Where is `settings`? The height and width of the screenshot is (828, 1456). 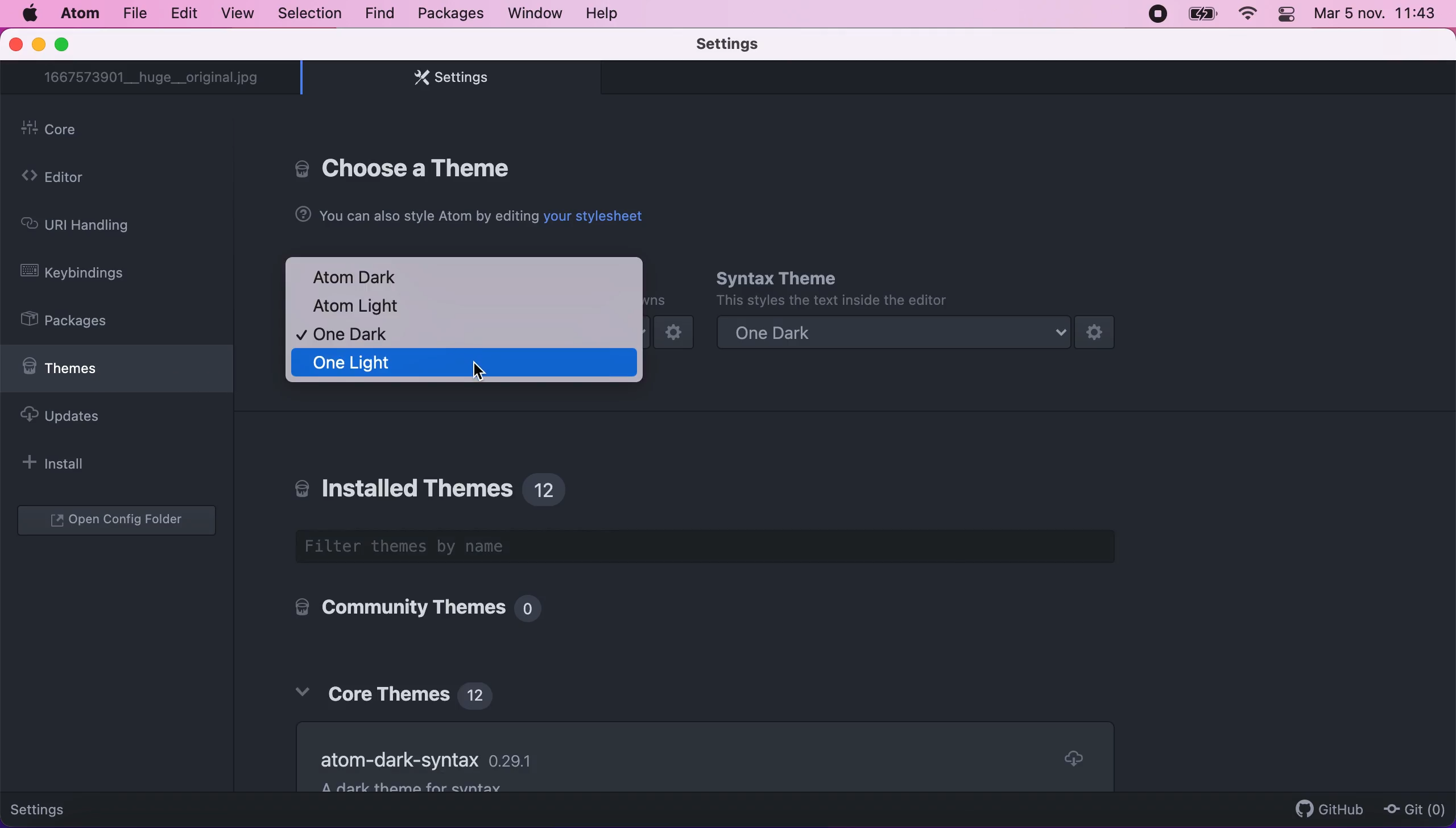
settings is located at coordinates (734, 45).